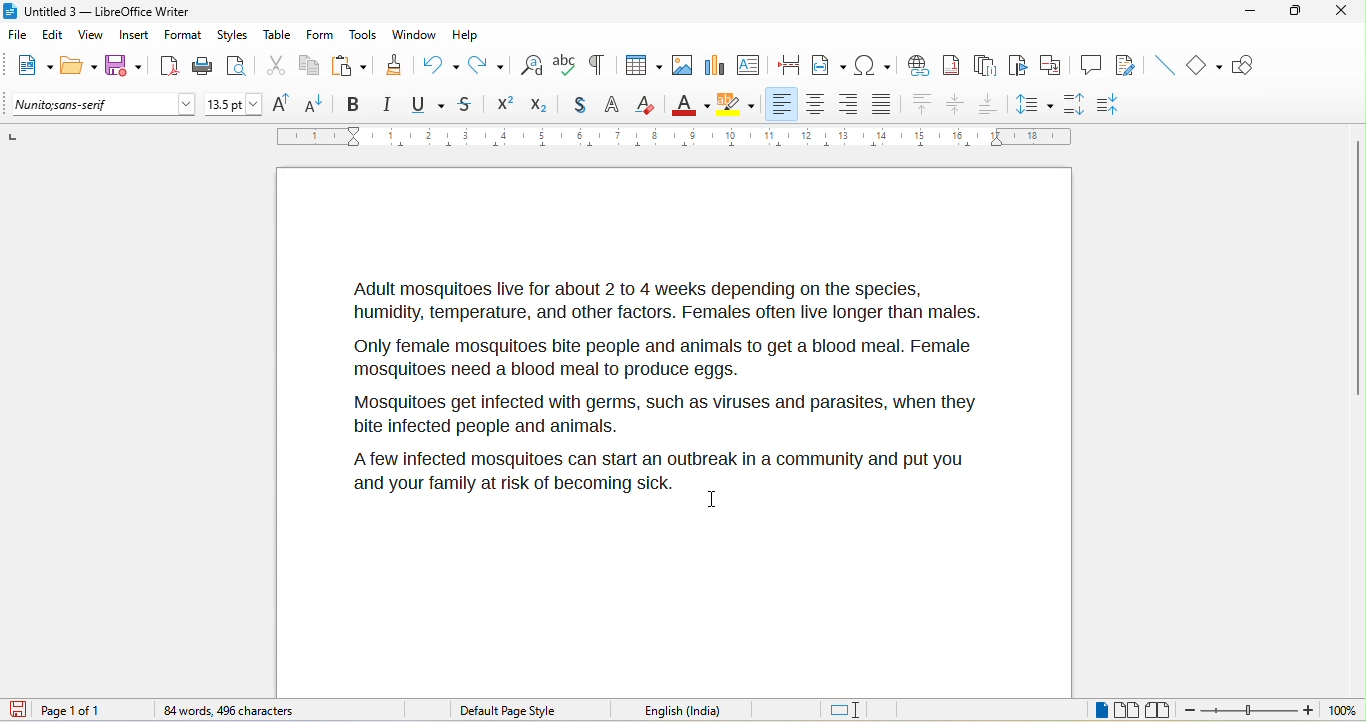 This screenshot has width=1366, height=722. Describe the element at coordinates (579, 106) in the screenshot. I see `shadow` at that location.